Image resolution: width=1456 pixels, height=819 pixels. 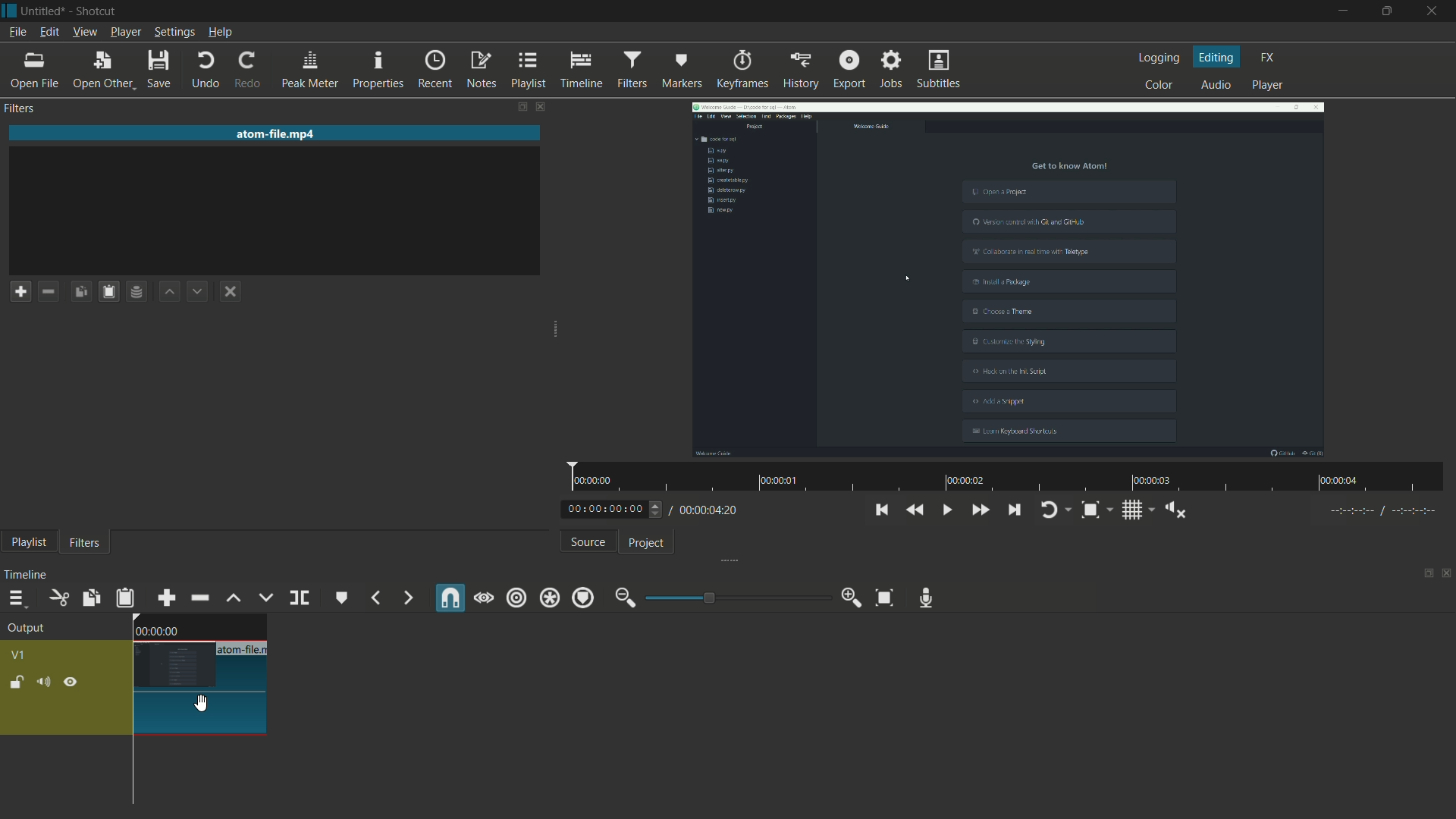 I want to click on record audio, so click(x=927, y=598).